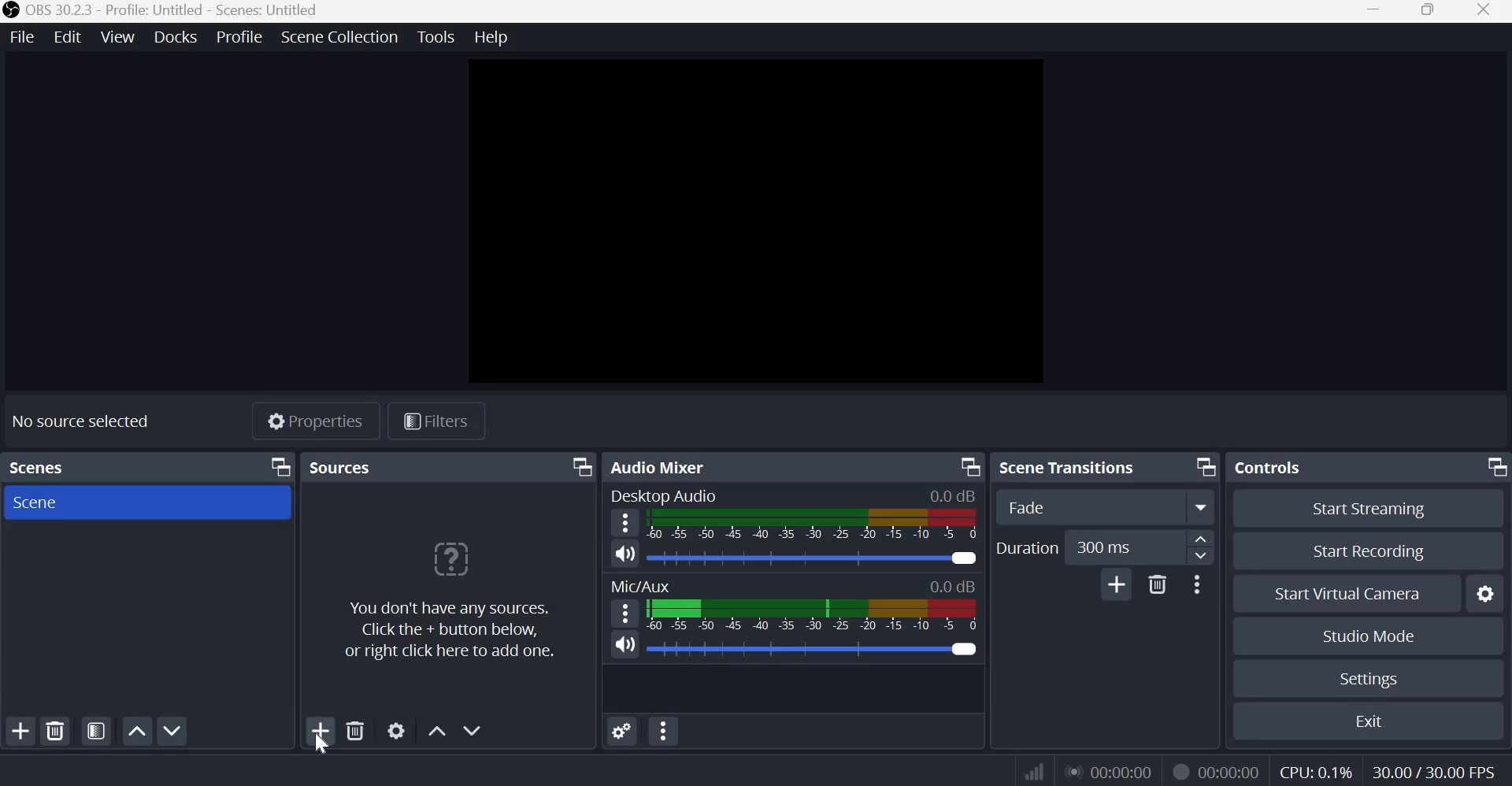 This screenshot has width=1512, height=786. I want to click on Move scene up, so click(136, 731).